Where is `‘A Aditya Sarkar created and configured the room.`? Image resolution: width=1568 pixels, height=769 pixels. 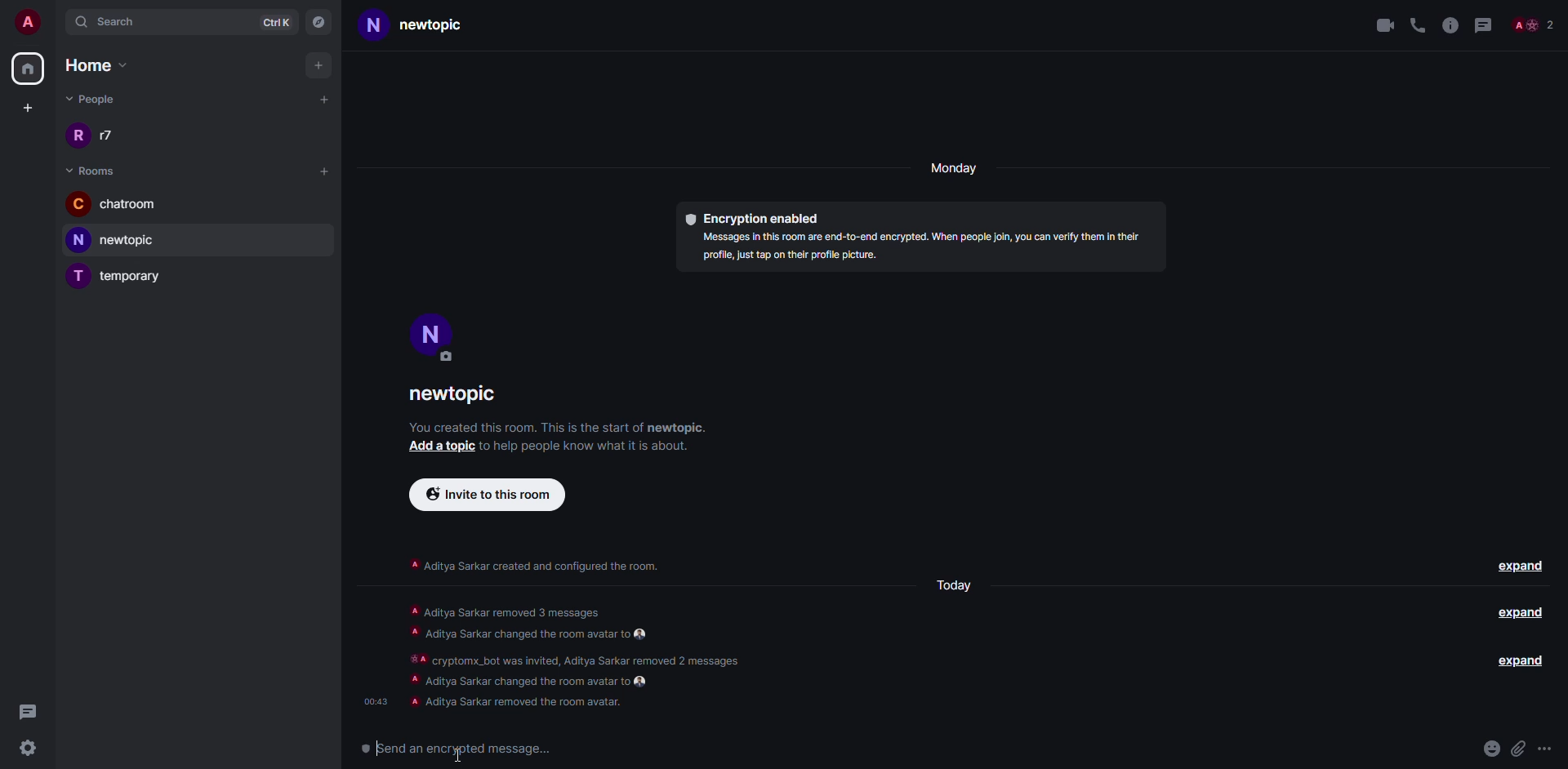 ‘A Aditya Sarkar created and configured the room. is located at coordinates (534, 562).